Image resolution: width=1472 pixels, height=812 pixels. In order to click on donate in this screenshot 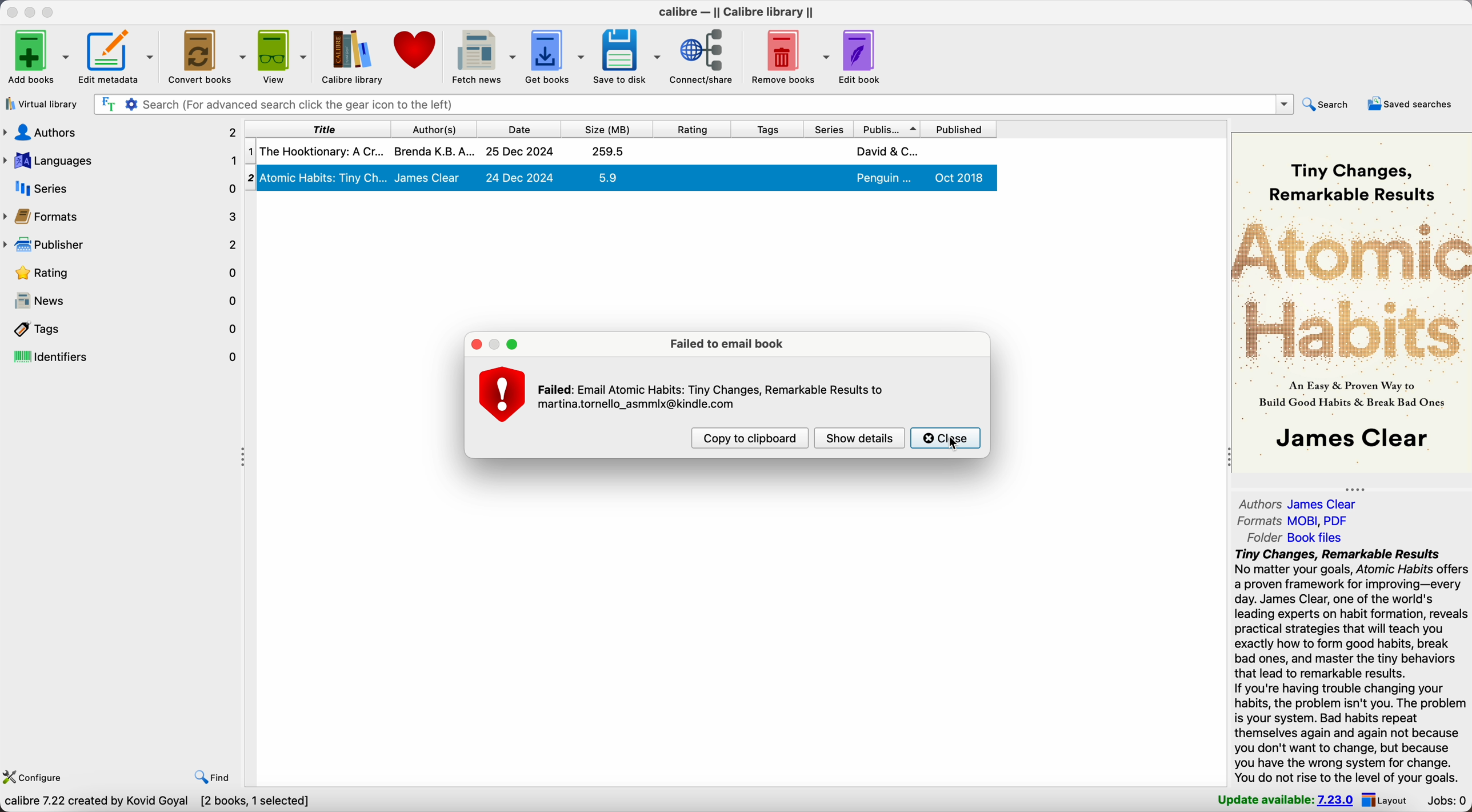, I will do `click(415, 49)`.